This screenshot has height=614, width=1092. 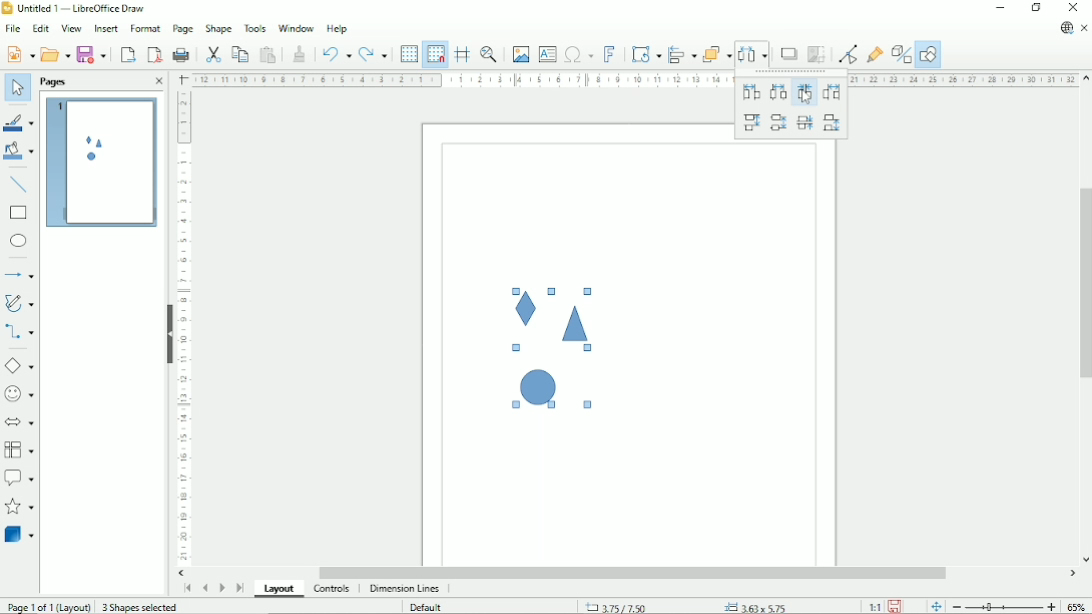 What do you see at coordinates (805, 124) in the screenshot?
I see `Vertically spacing` at bounding box center [805, 124].